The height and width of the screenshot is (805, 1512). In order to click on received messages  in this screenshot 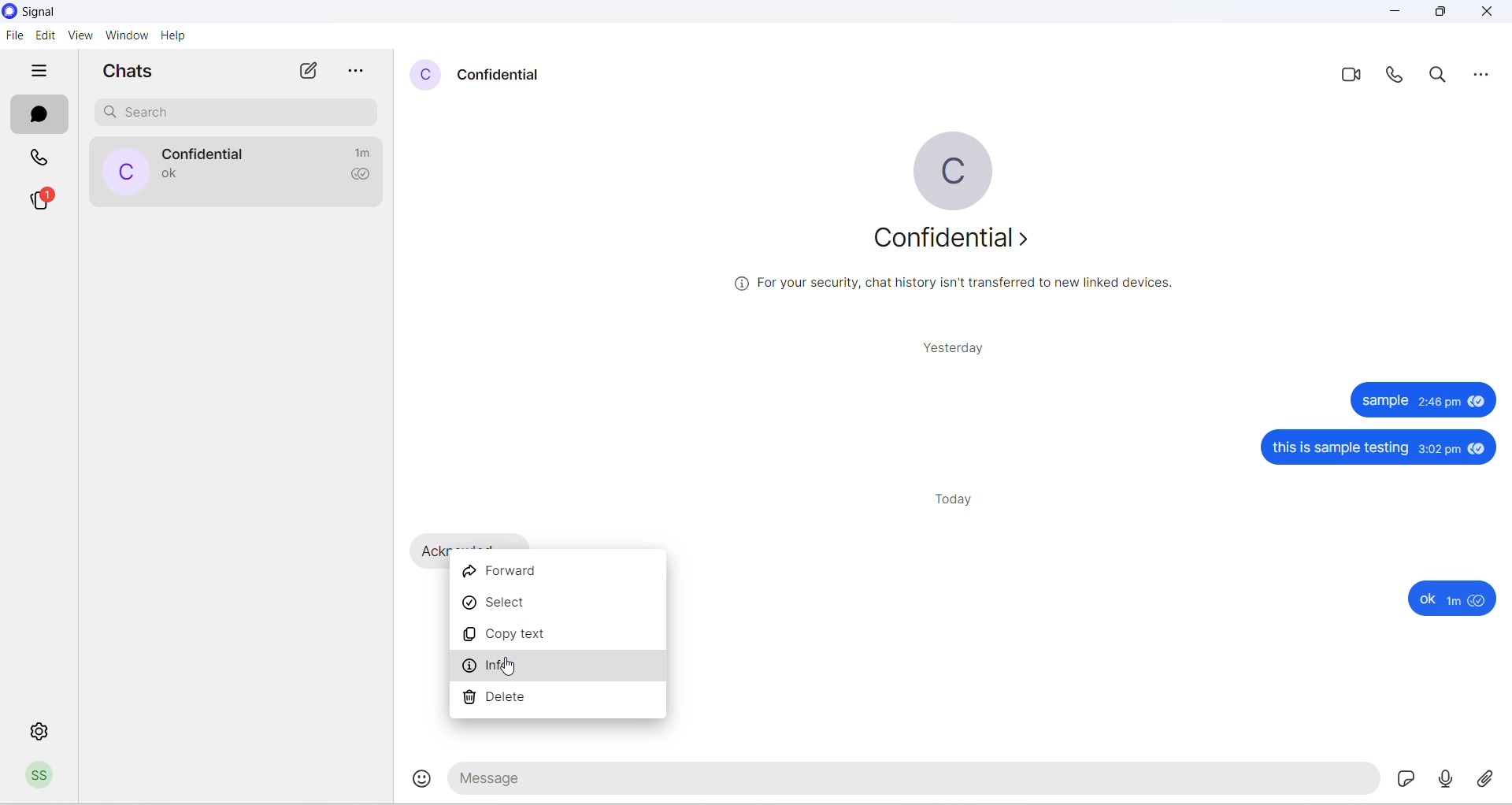, I will do `click(423, 549)`.